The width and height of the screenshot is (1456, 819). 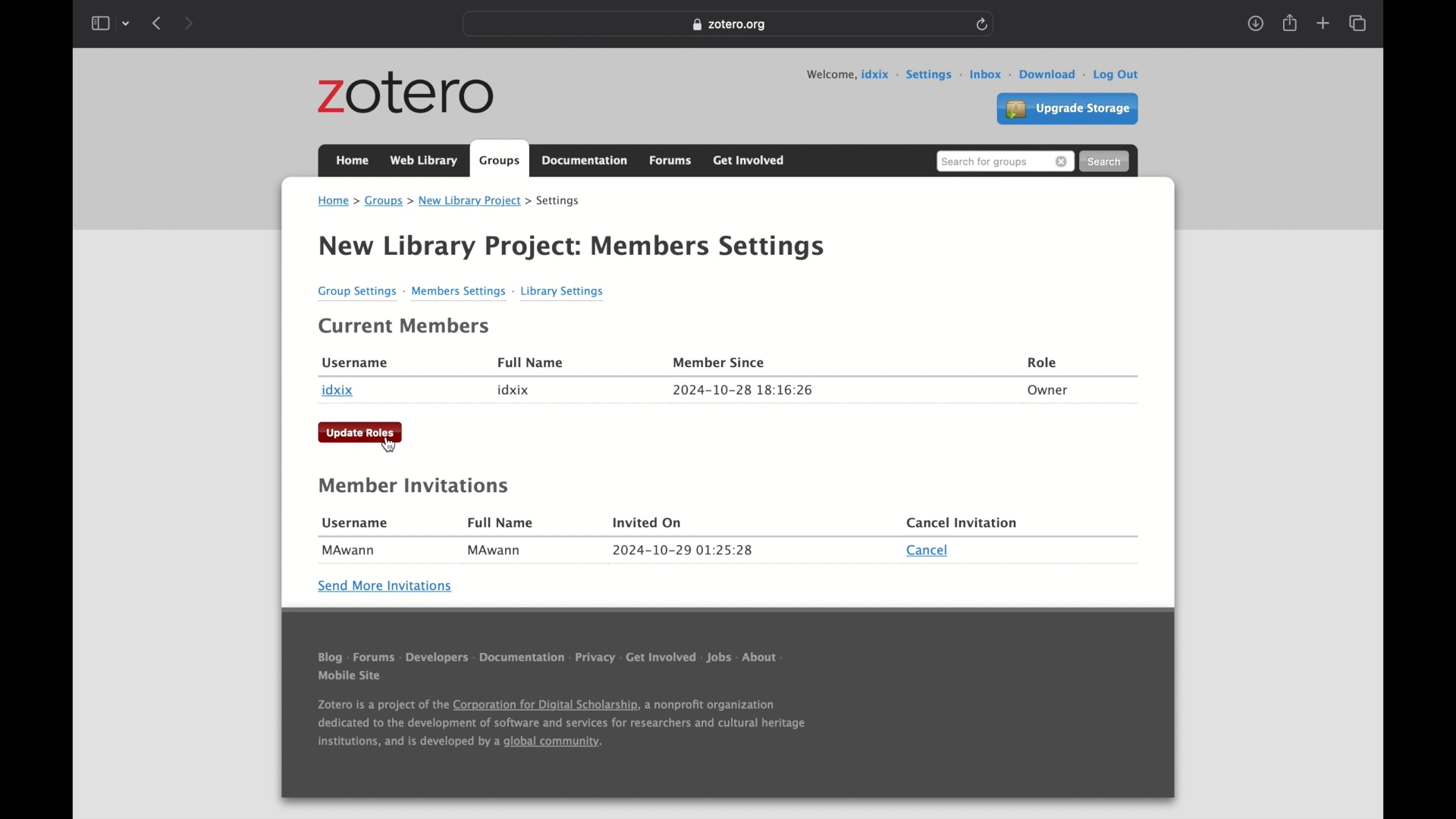 What do you see at coordinates (879, 74) in the screenshot?
I see `user id` at bounding box center [879, 74].